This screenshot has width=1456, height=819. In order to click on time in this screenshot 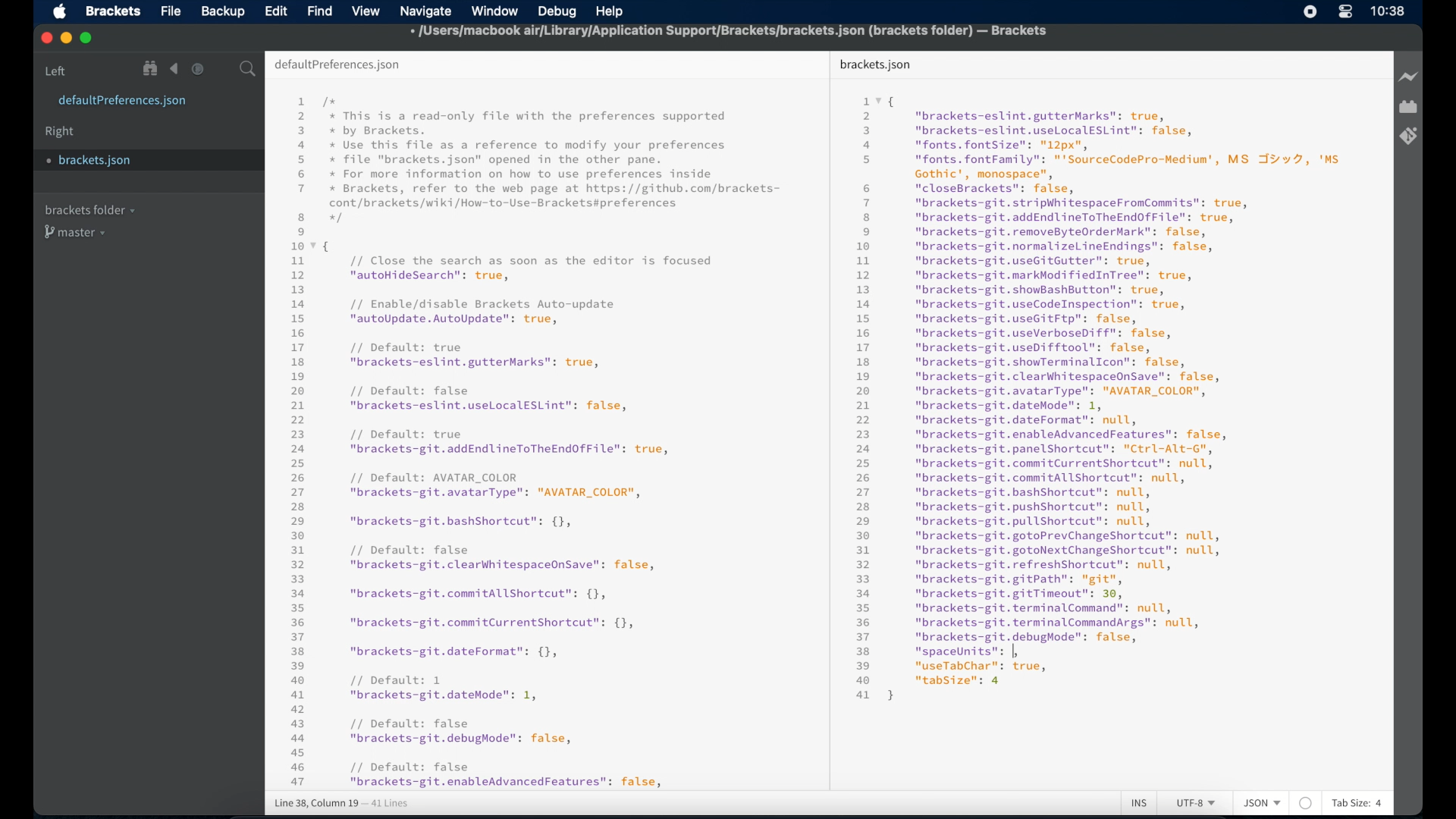, I will do `click(1388, 11)`.